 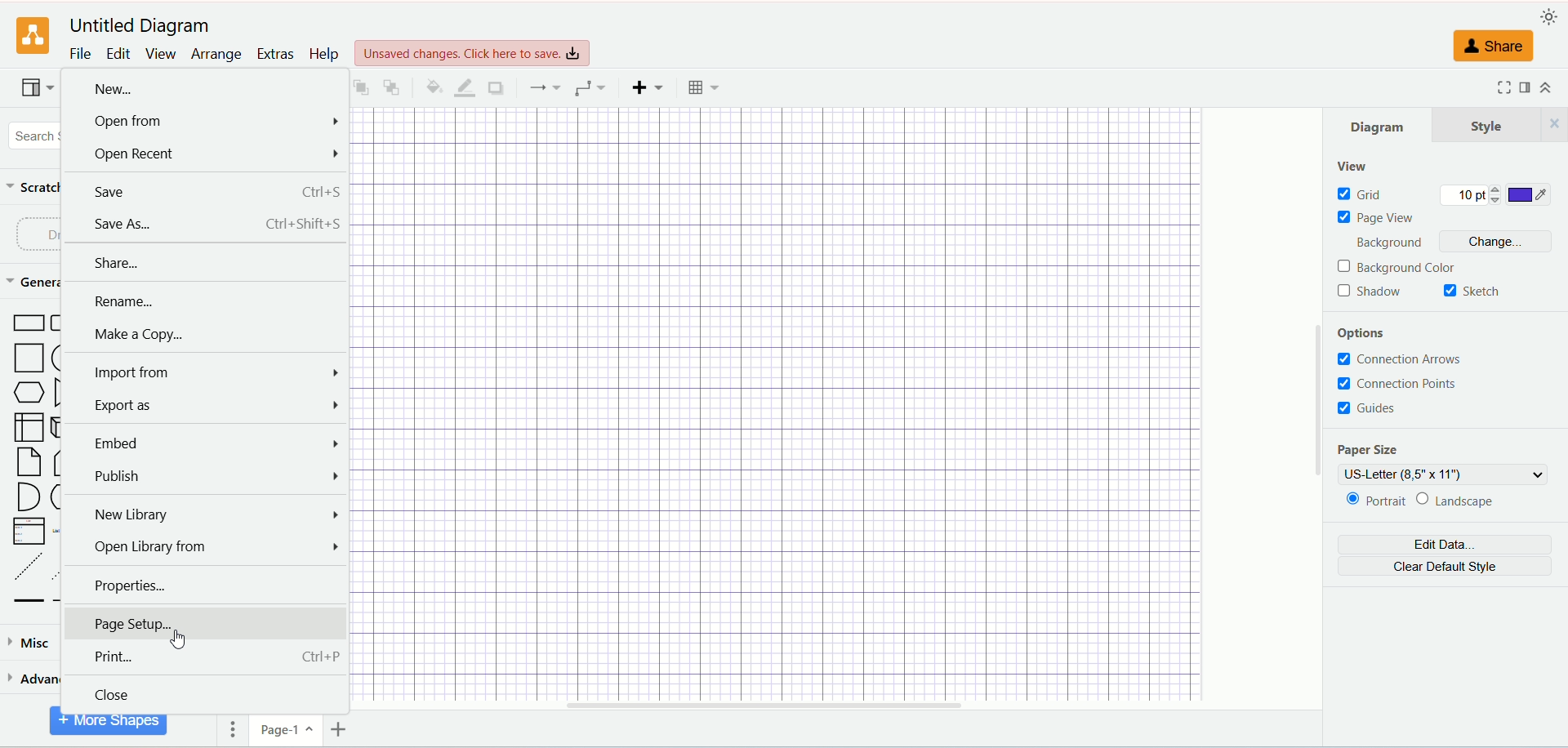 What do you see at coordinates (207, 266) in the screenshot?
I see `share` at bounding box center [207, 266].